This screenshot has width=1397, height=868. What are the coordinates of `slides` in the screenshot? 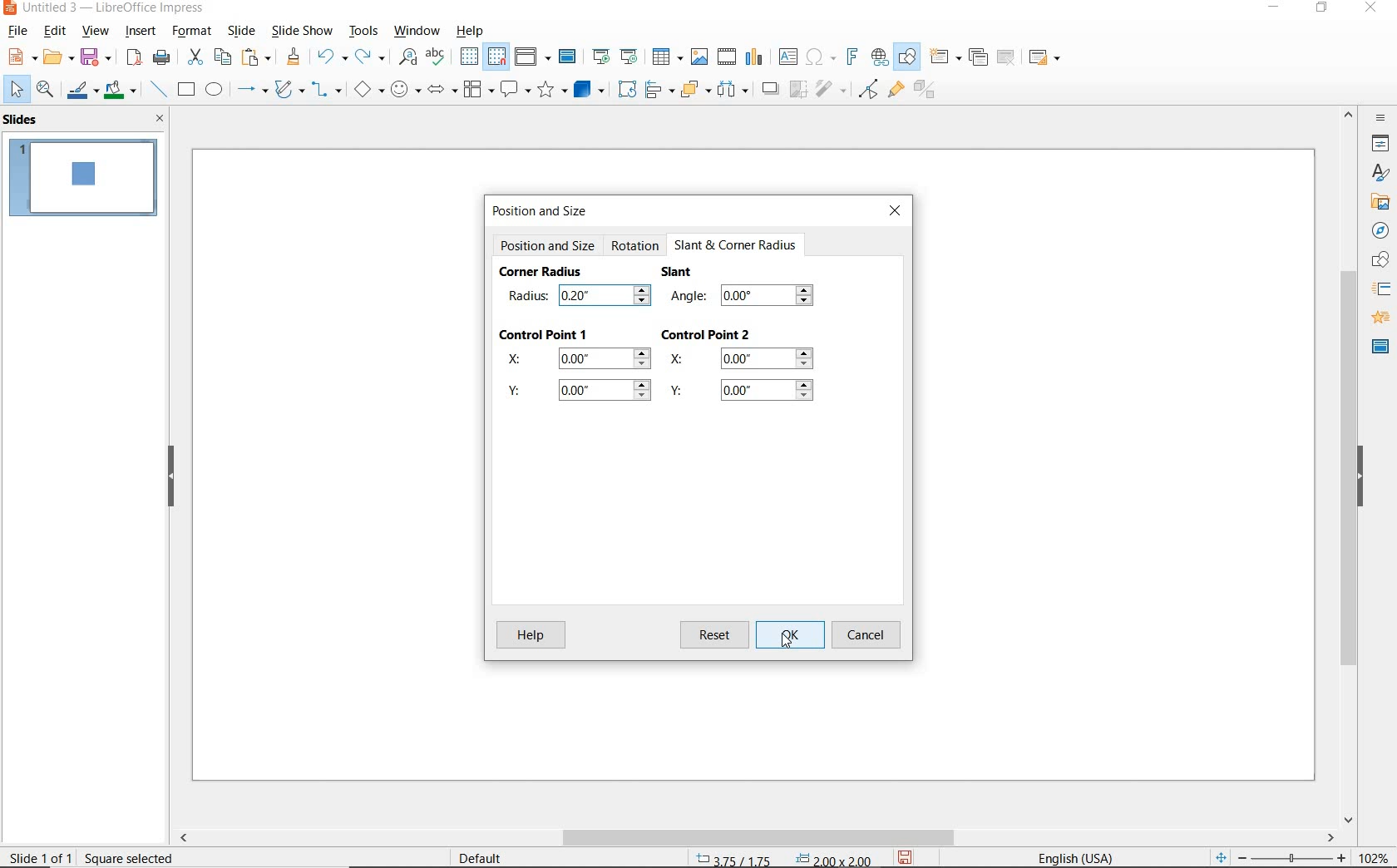 It's located at (23, 121).